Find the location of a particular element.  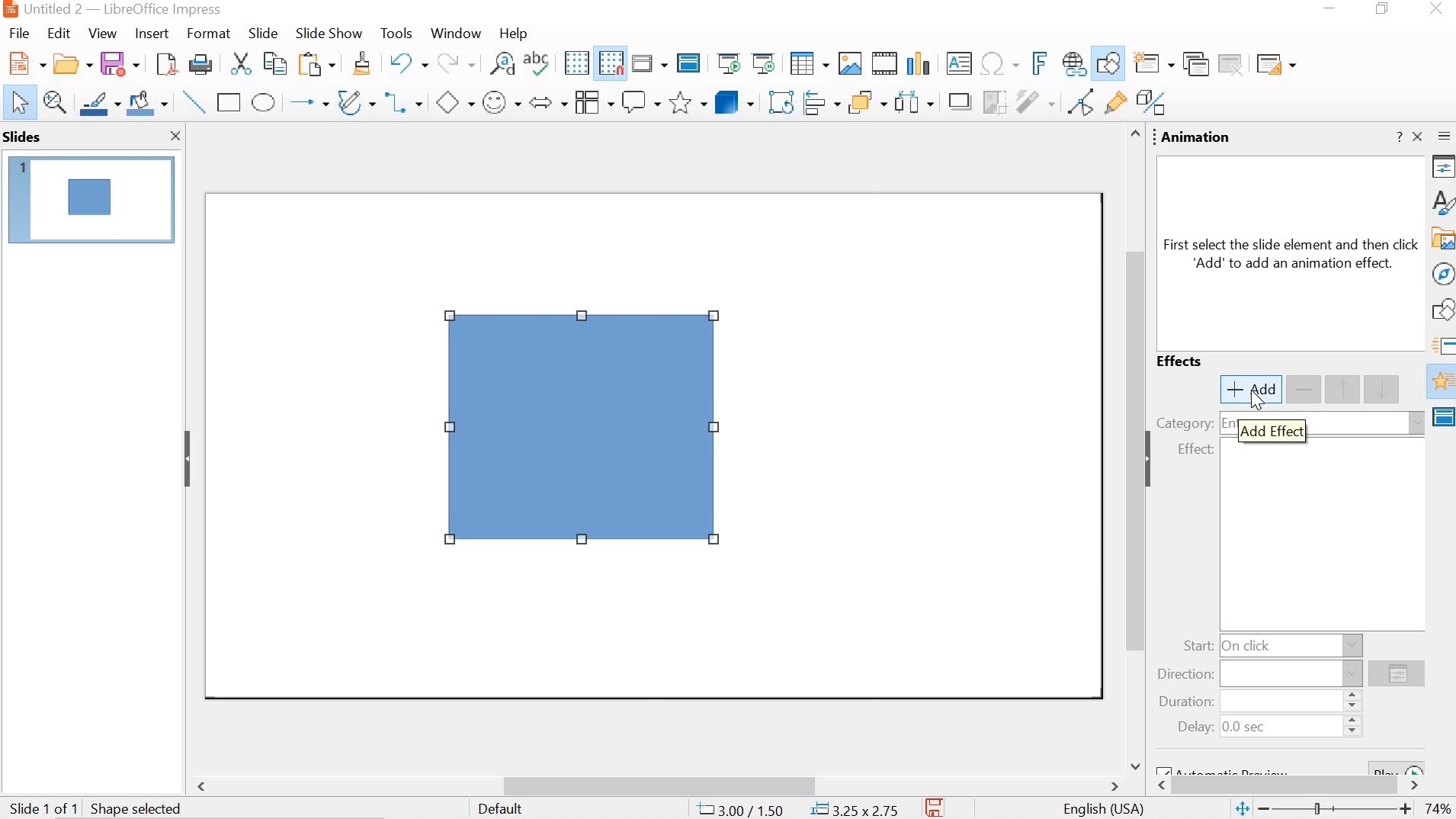

start is located at coordinates (1267, 645).